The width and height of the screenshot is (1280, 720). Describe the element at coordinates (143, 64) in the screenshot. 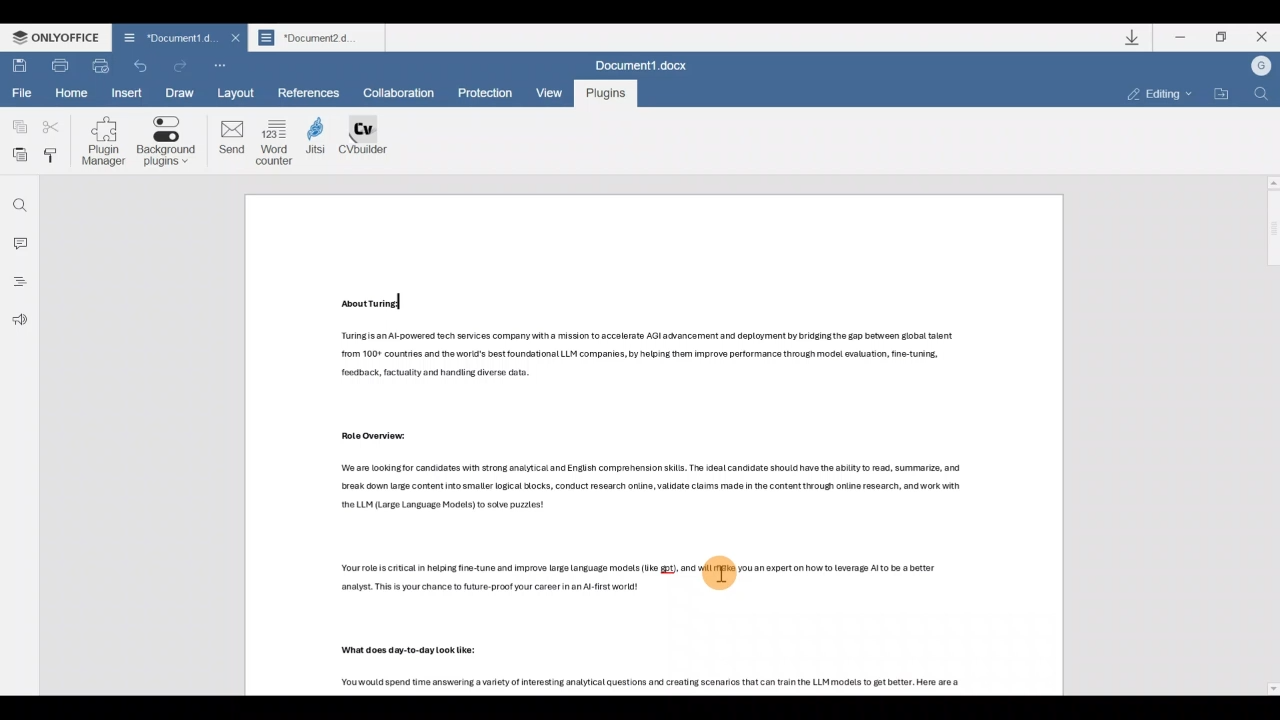

I see `Redo` at that location.